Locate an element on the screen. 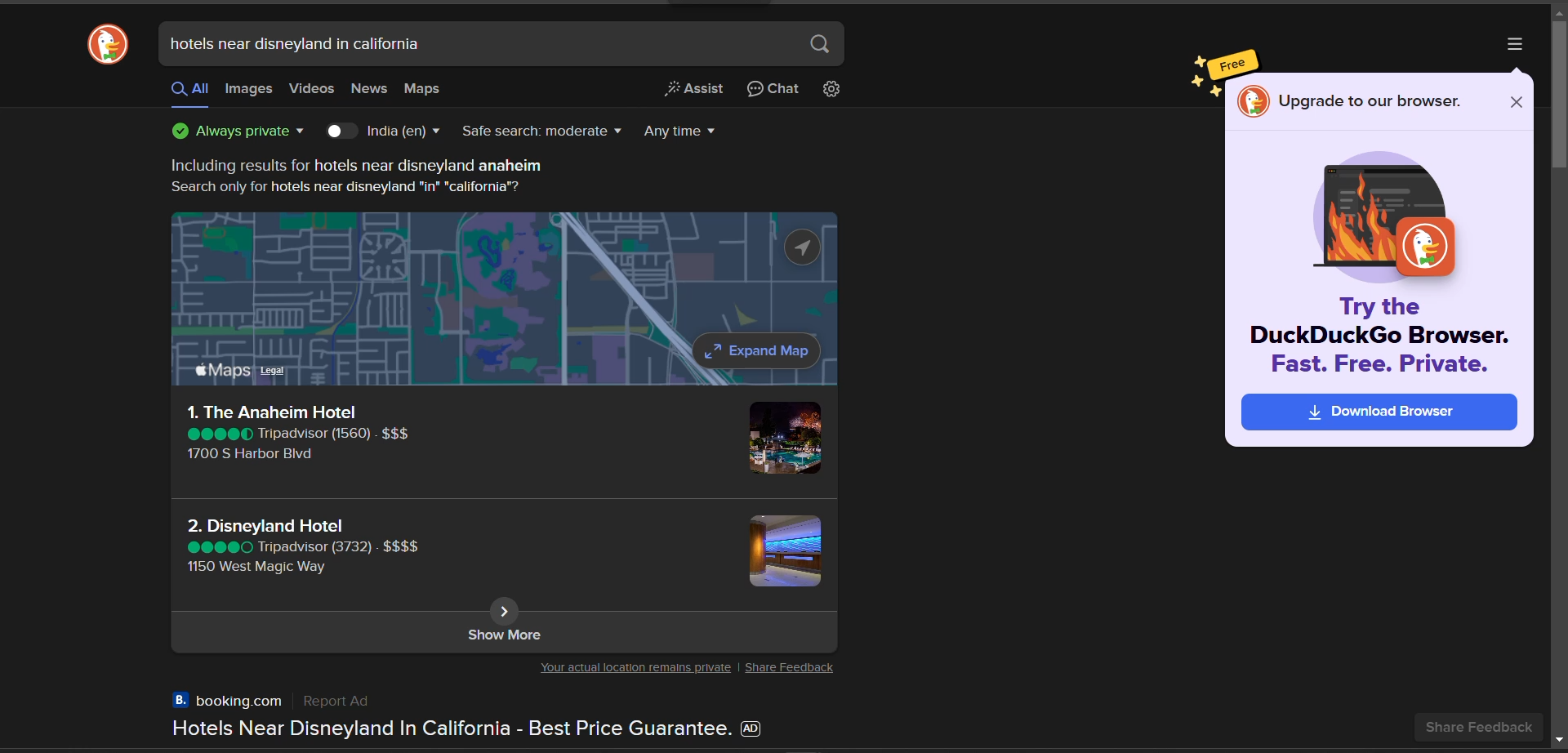 This screenshot has height=753, width=1568. suggestion-2 is located at coordinates (306, 544).